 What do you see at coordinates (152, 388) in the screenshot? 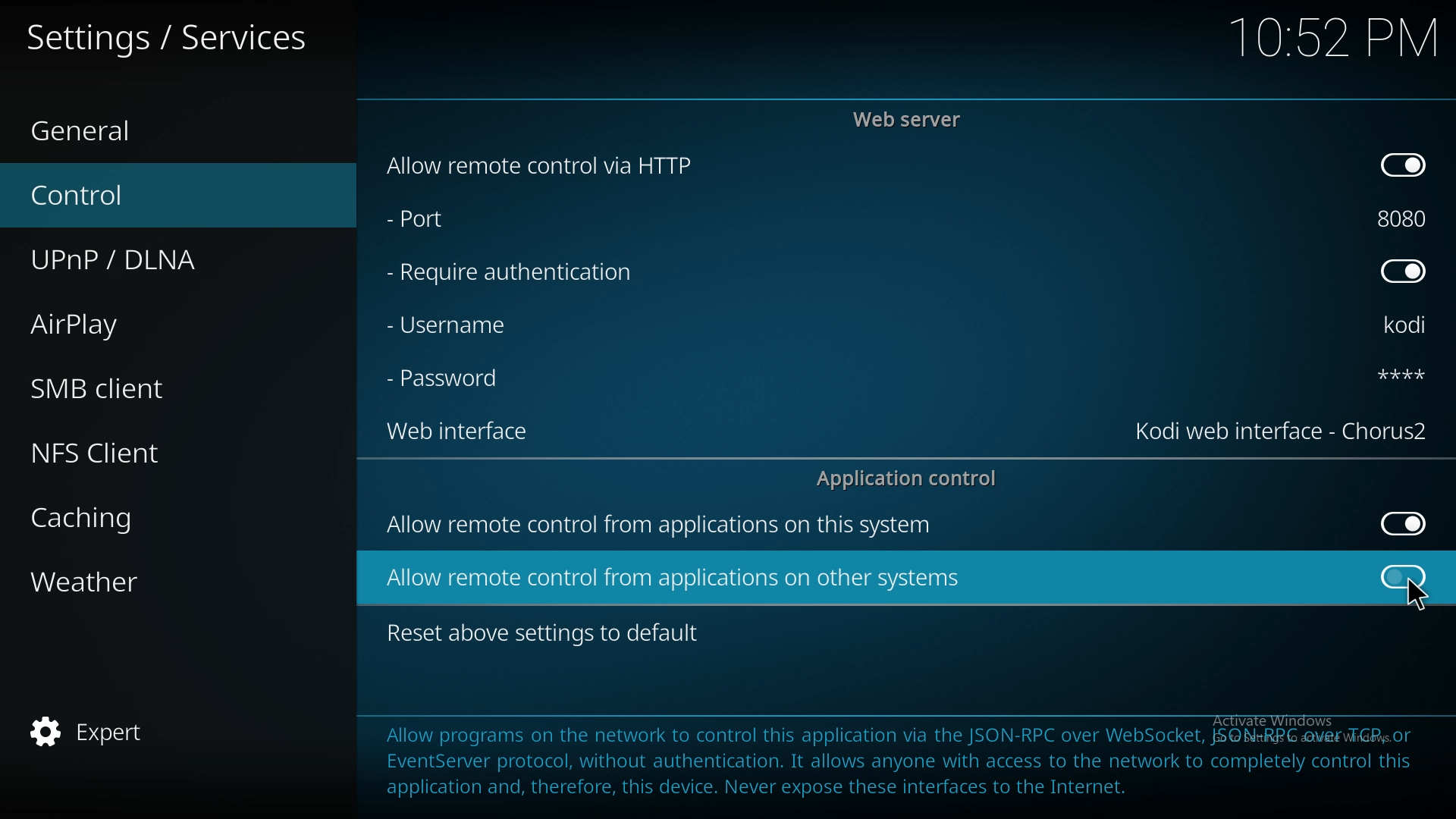
I see `smb client` at bounding box center [152, 388].